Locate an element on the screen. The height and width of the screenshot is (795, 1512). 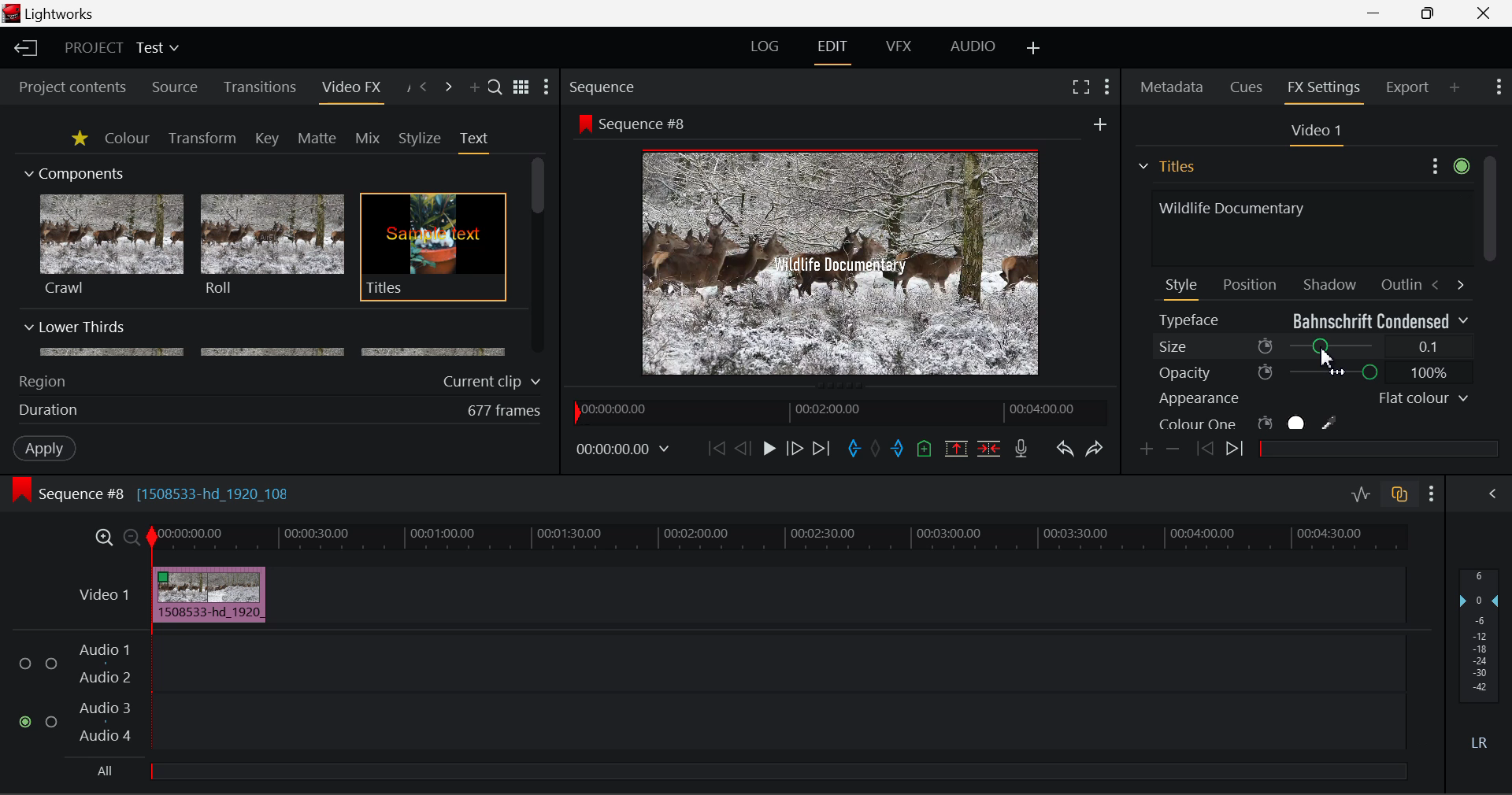
Sequence #8 is located at coordinates (649, 124).